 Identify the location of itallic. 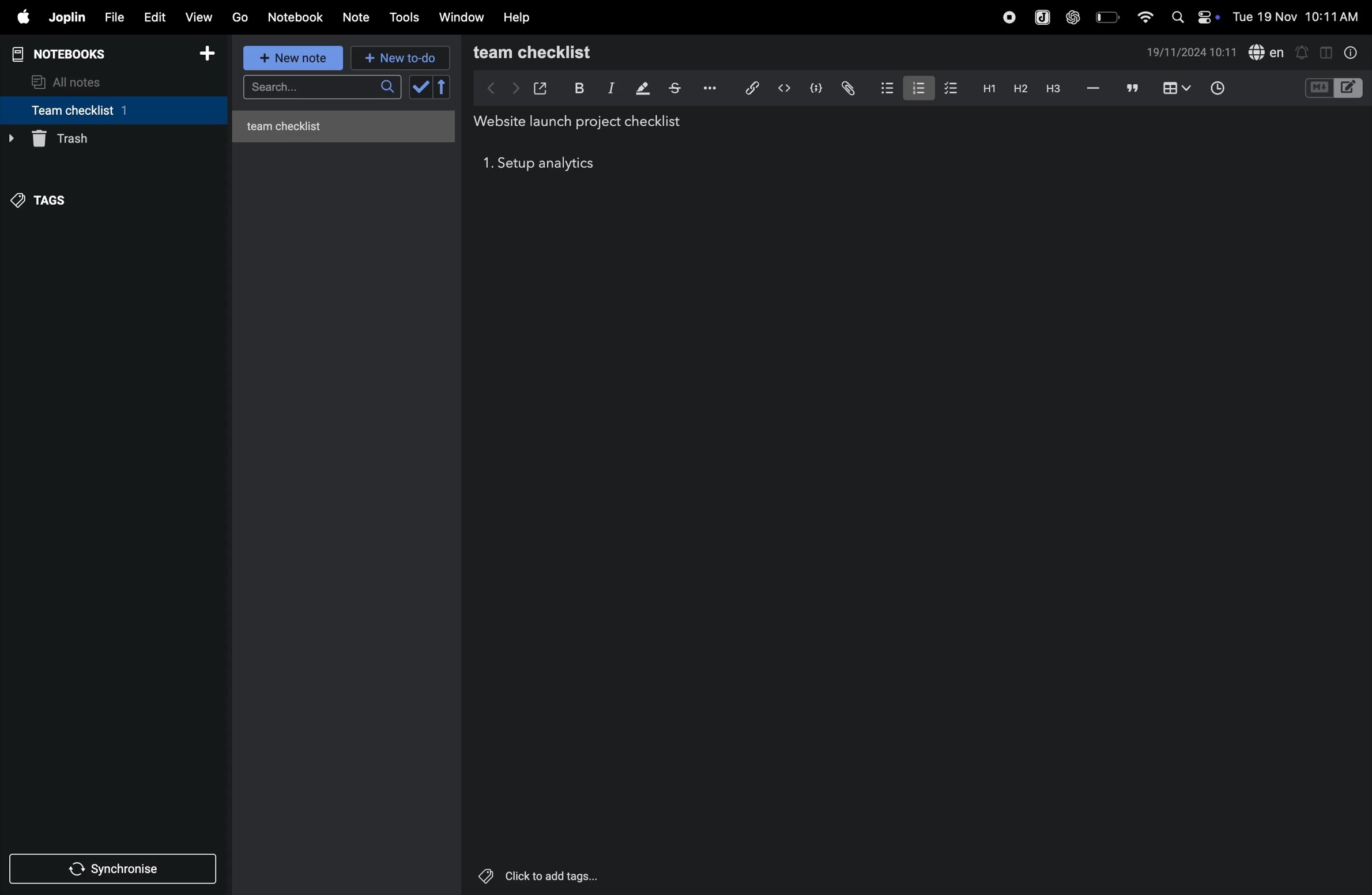
(609, 88).